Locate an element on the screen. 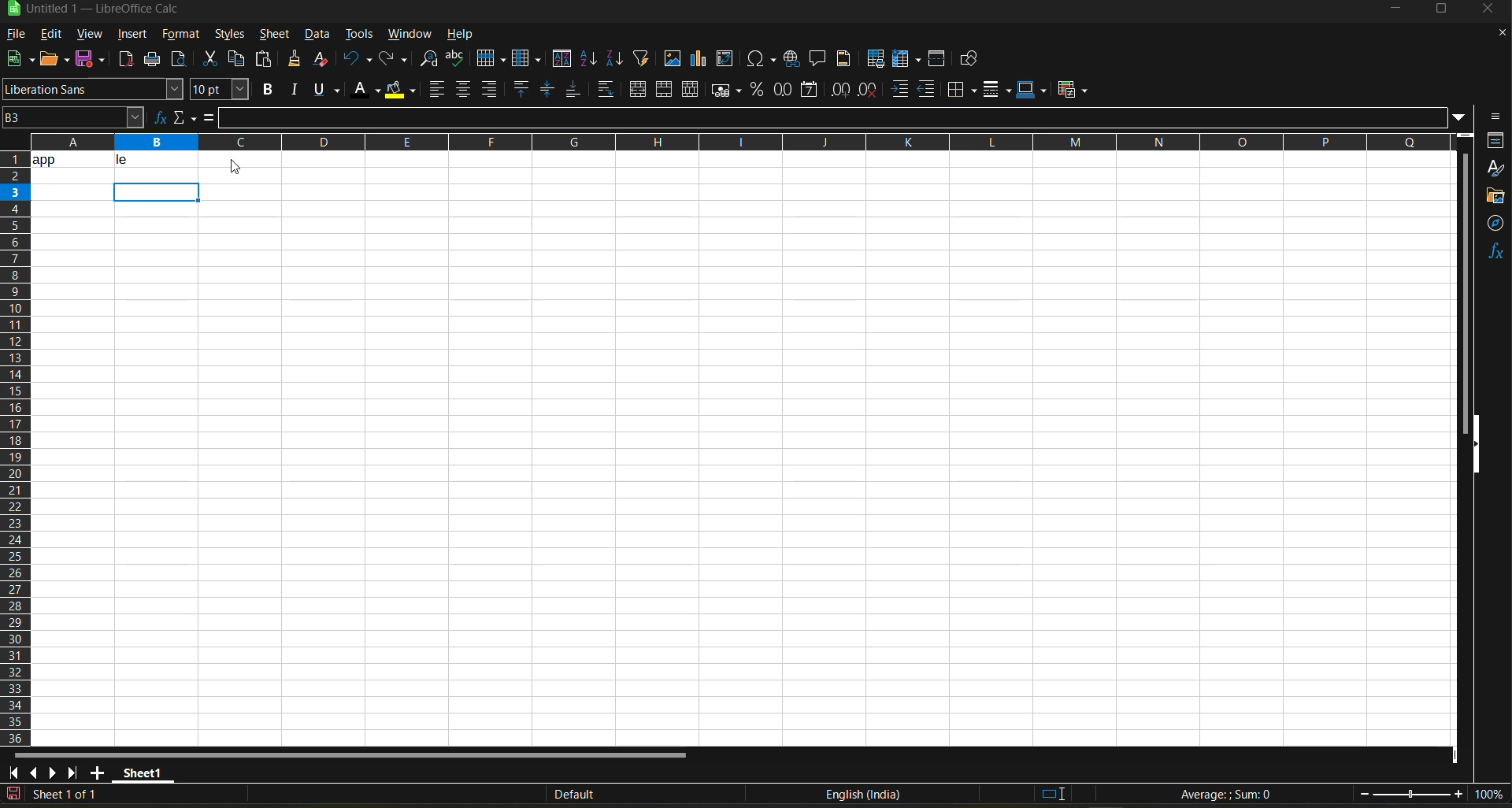 This screenshot has height=808, width=1512. cell address is located at coordinates (72, 117).